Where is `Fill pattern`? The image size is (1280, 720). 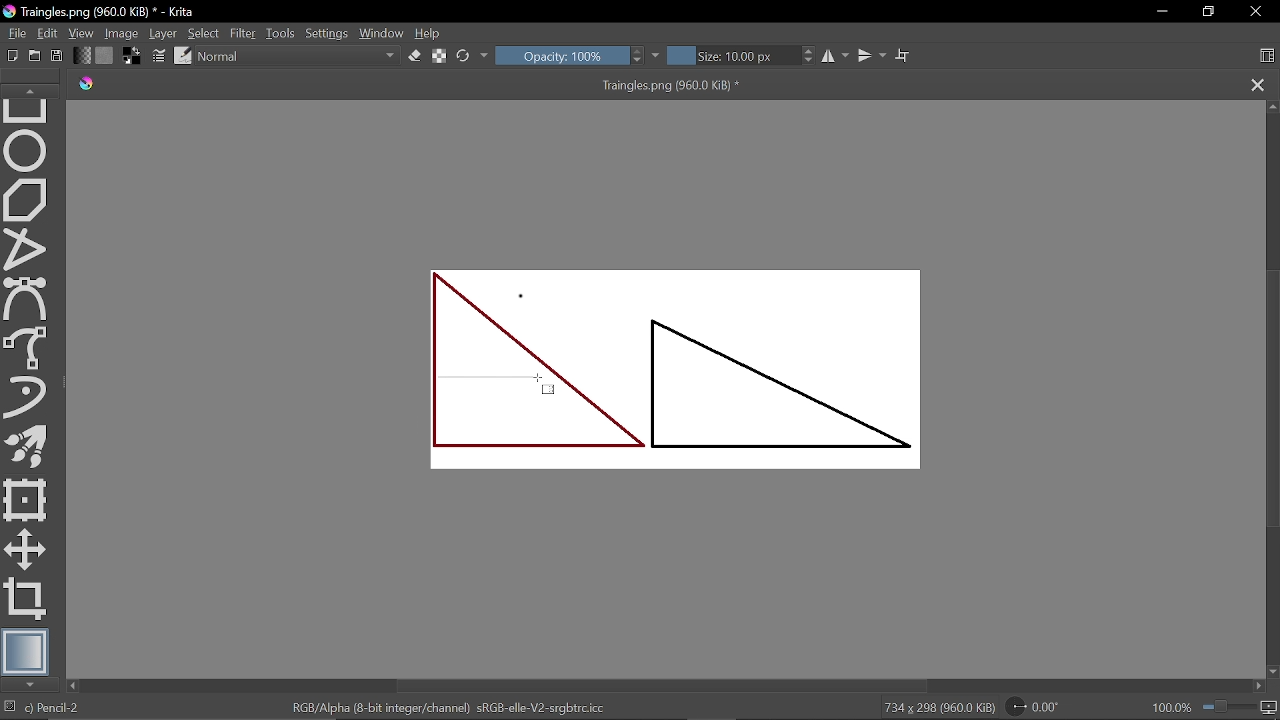 Fill pattern is located at coordinates (105, 54).